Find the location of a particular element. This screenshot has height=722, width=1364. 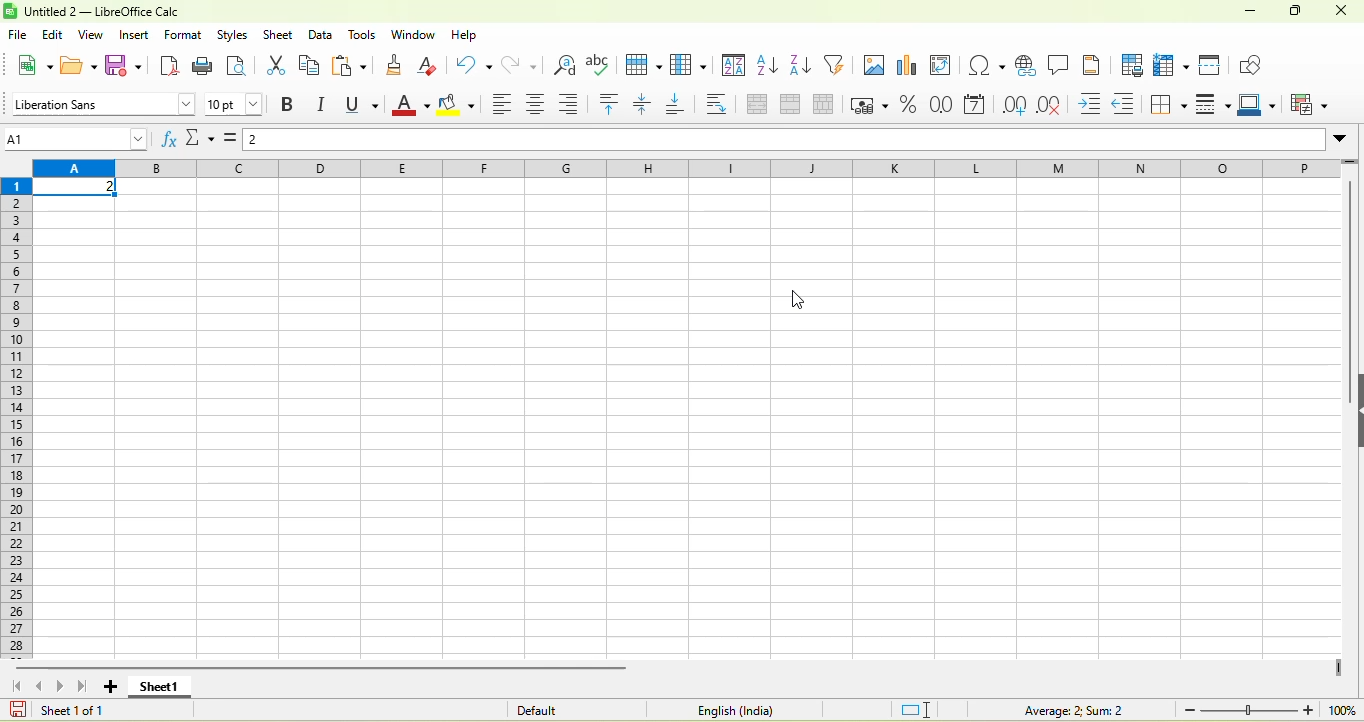

format as date is located at coordinates (980, 106).